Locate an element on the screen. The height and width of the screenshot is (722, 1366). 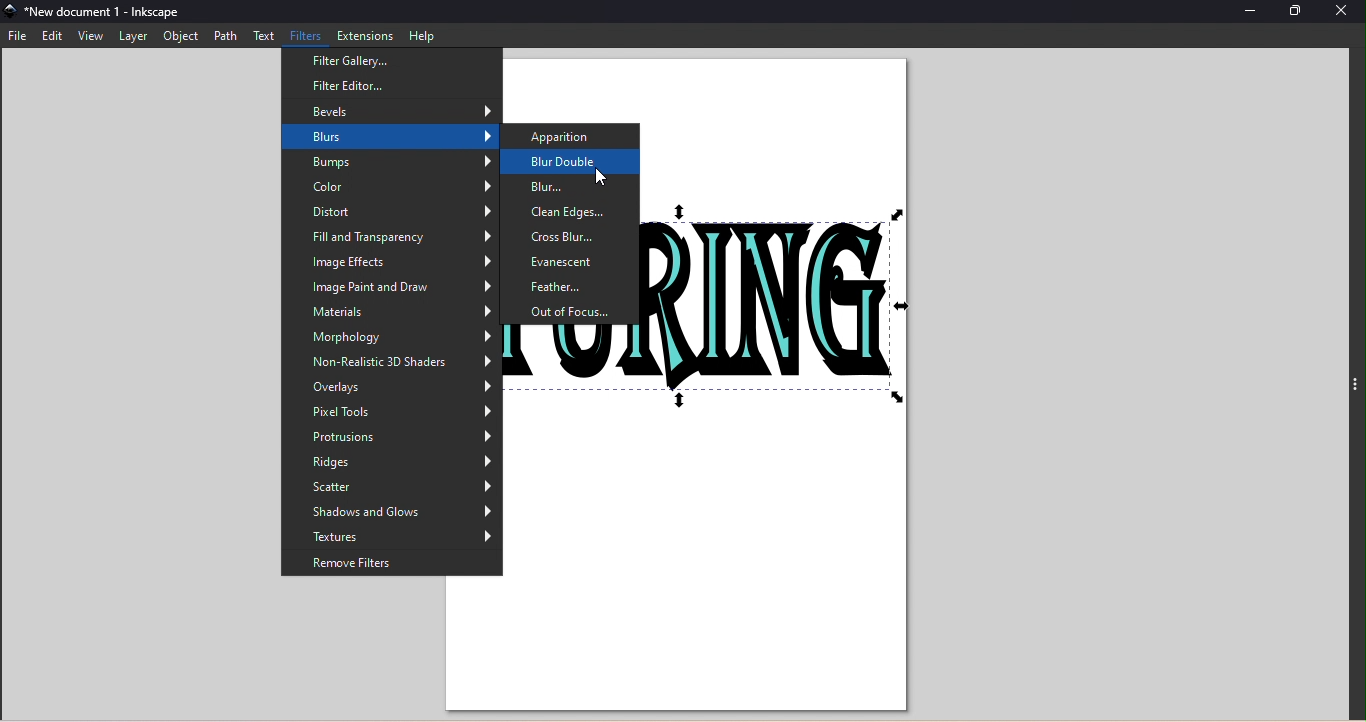
Out of focus... is located at coordinates (572, 313).